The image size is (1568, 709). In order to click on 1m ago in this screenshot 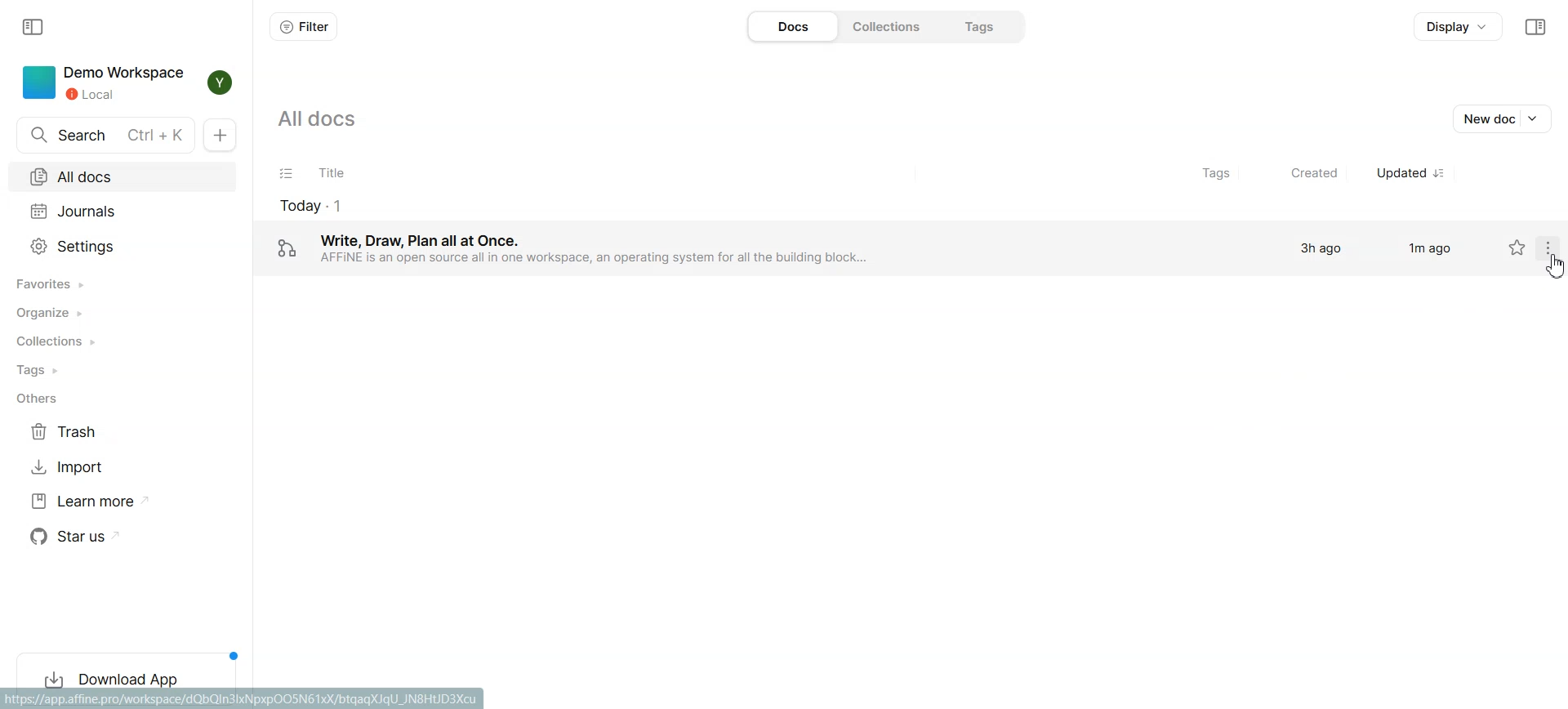, I will do `click(1428, 248)`.